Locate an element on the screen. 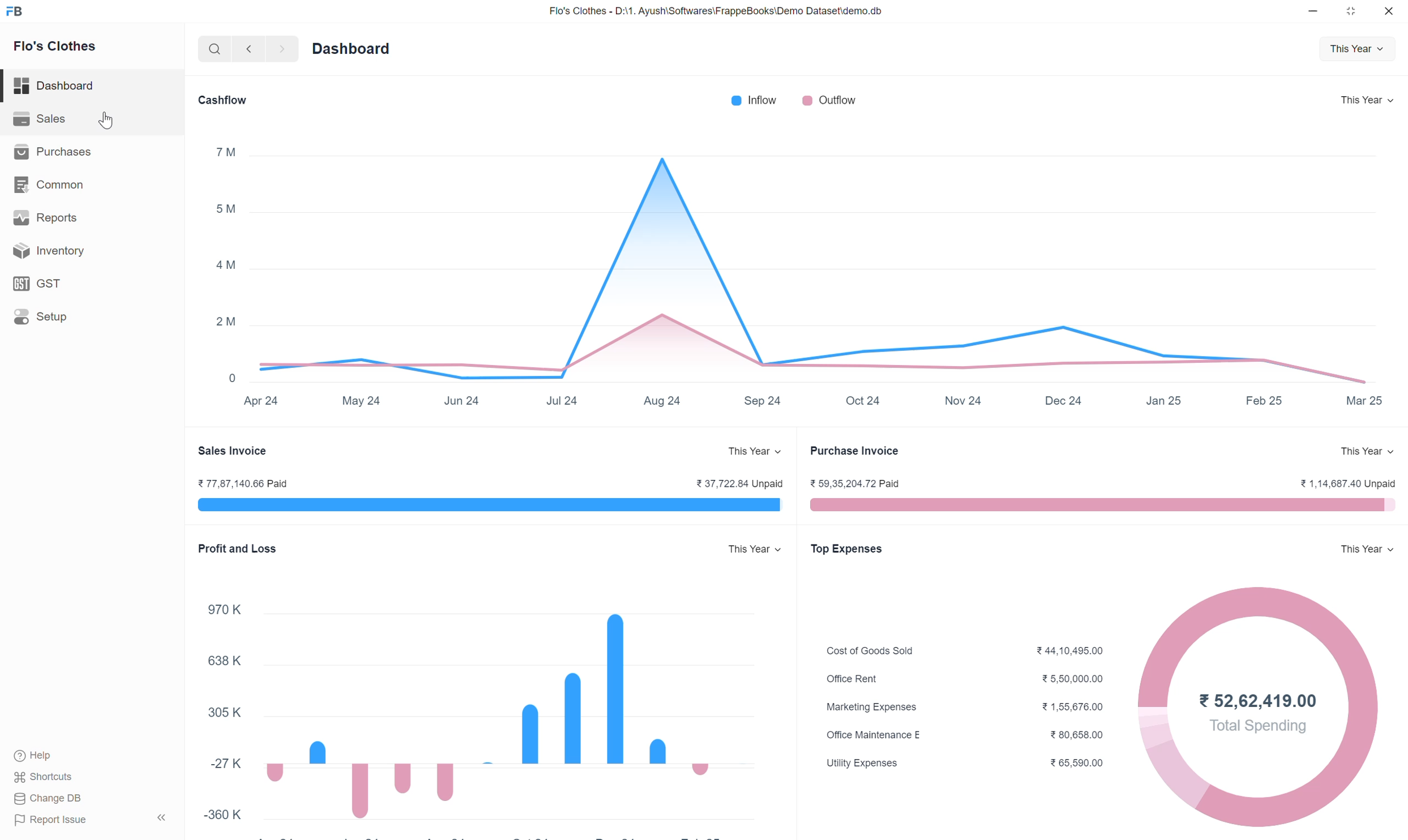  outflow is located at coordinates (831, 101).